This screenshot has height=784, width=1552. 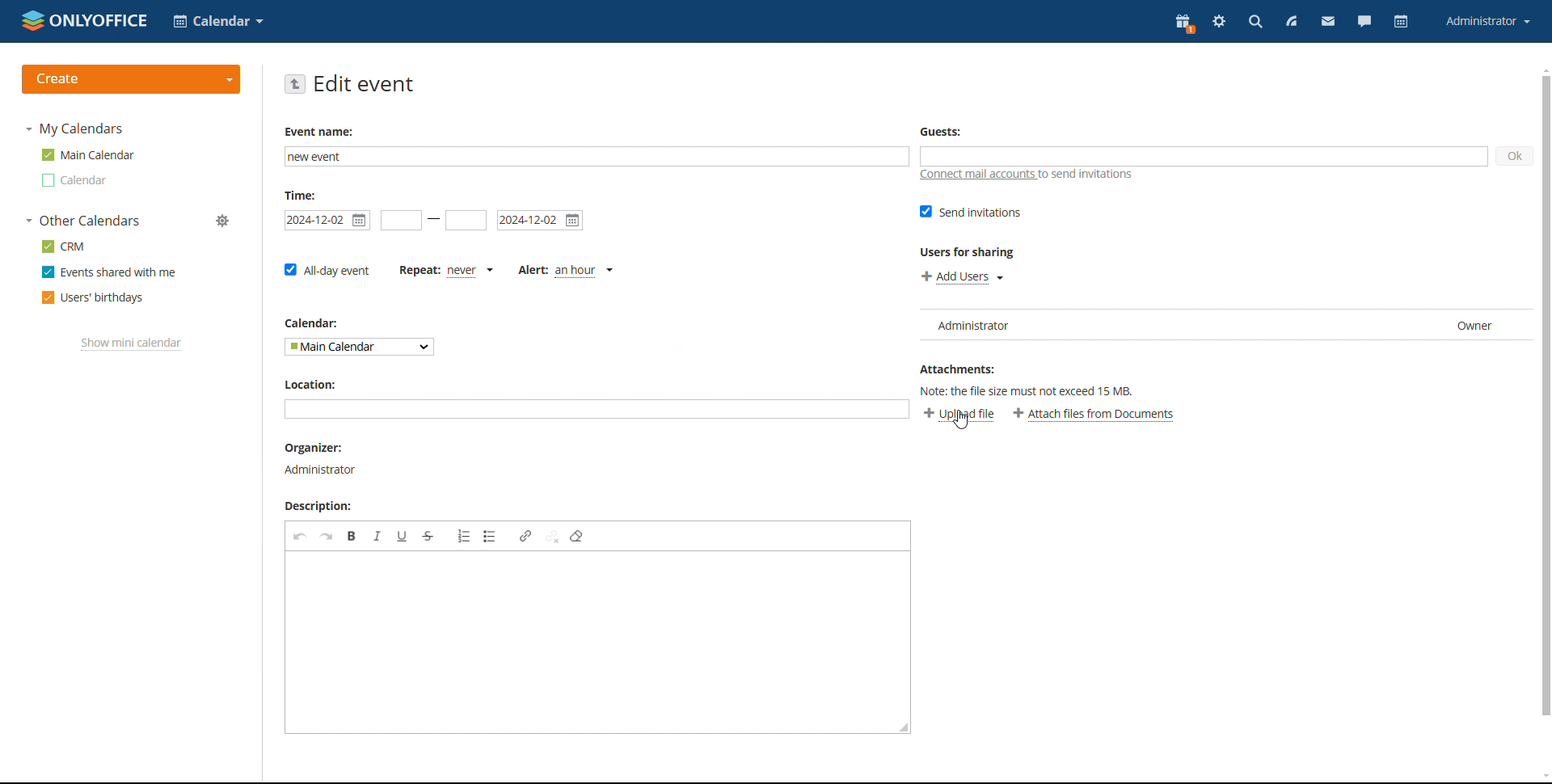 What do you see at coordinates (960, 278) in the screenshot?
I see `add users` at bounding box center [960, 278].